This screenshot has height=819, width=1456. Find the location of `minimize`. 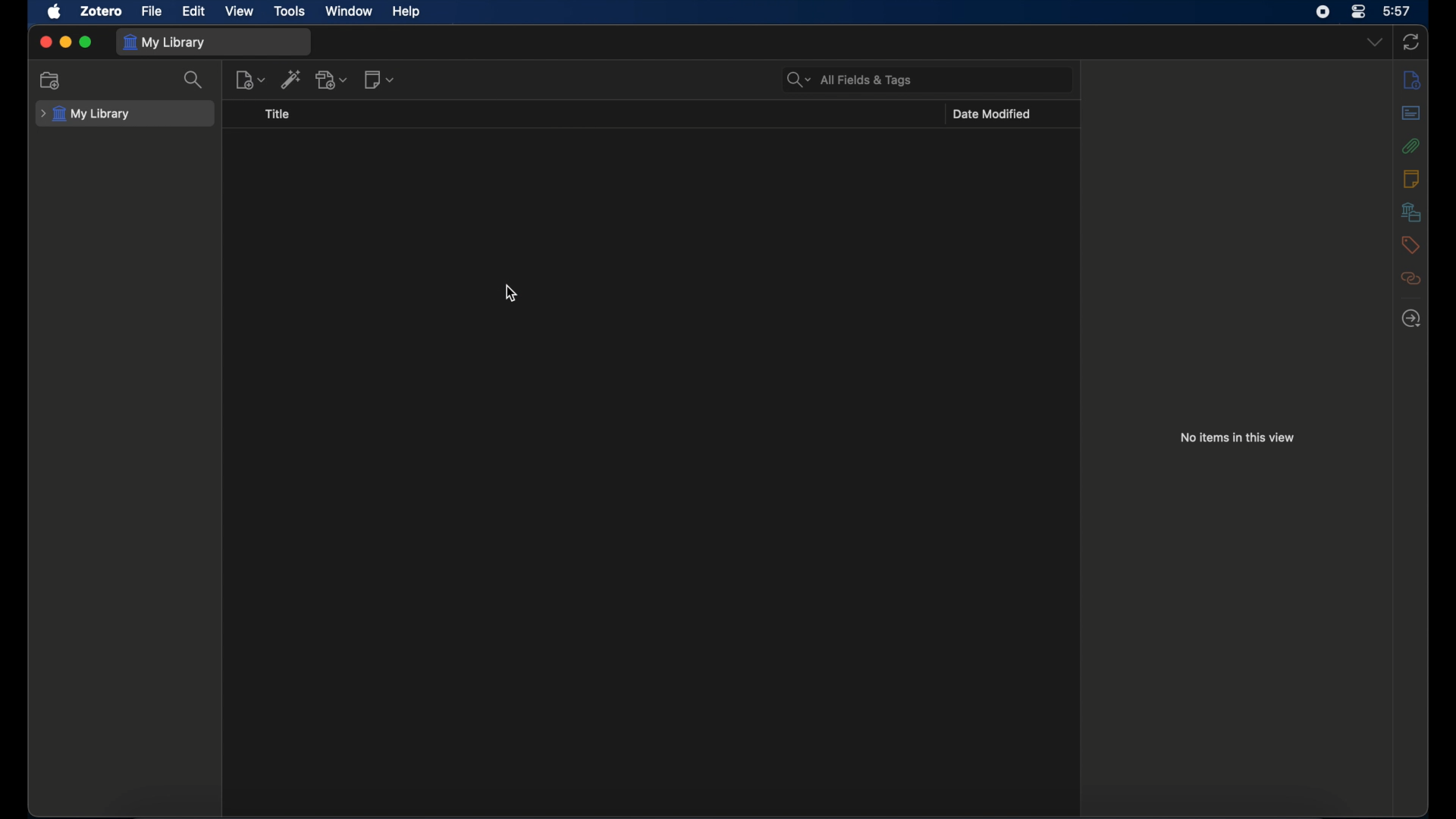

minimize is located at coordinates (65, 42).